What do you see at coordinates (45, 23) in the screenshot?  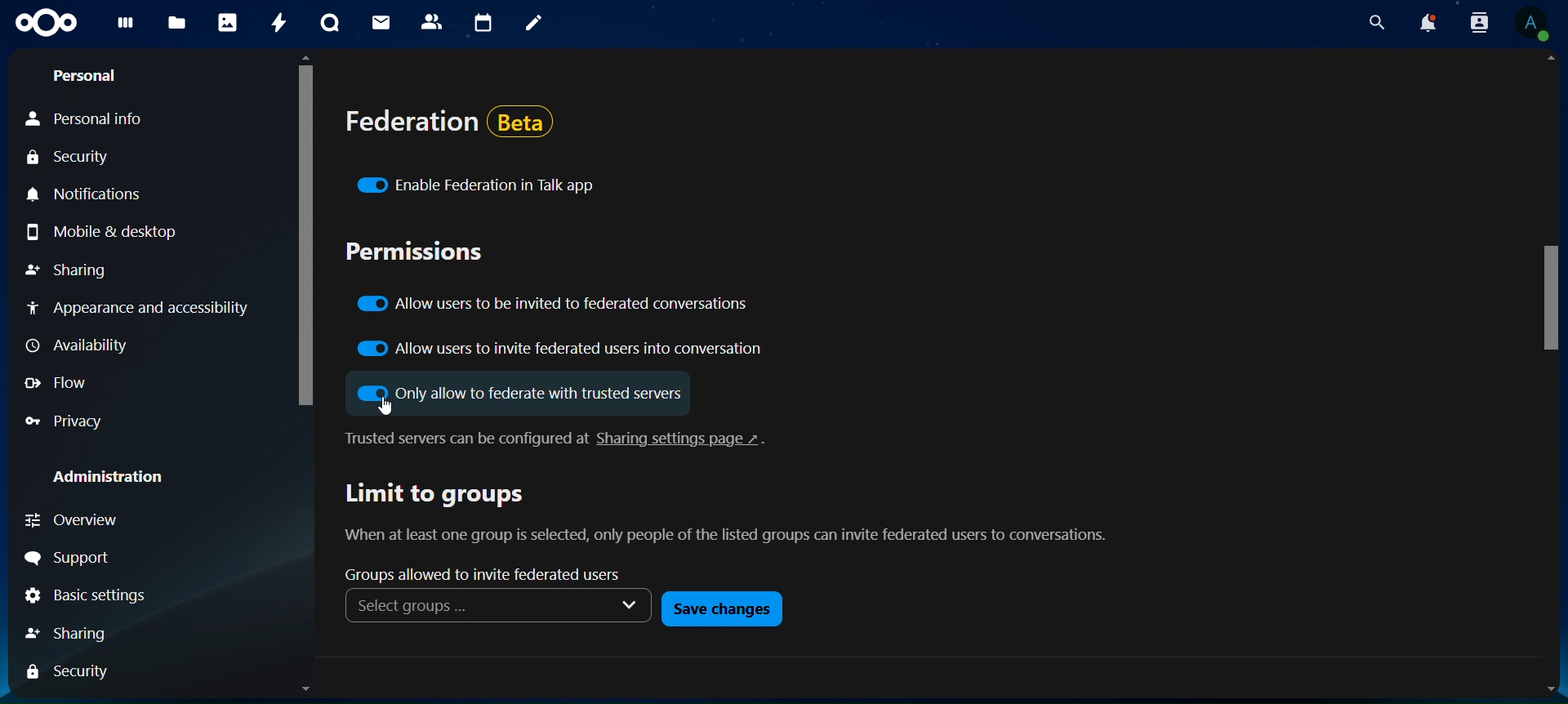 I see `icon` at bounding box center [45, 23].